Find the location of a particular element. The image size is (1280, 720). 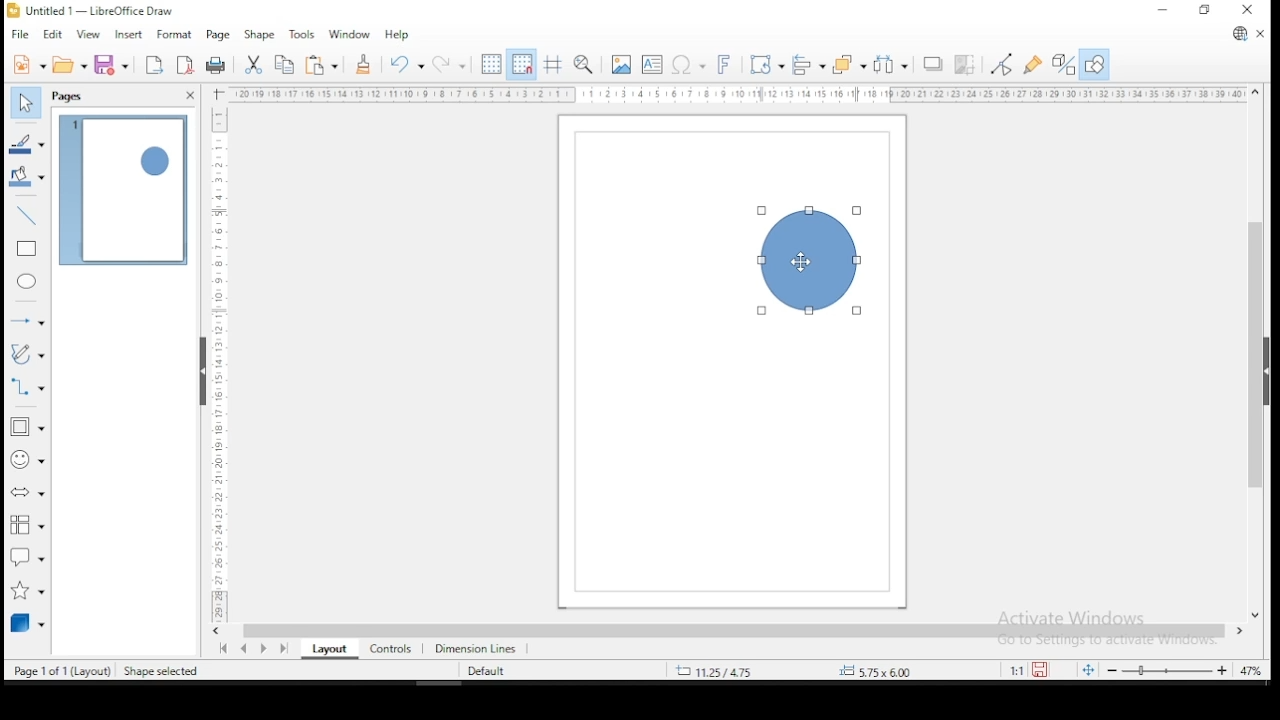

undo is located at coordinates (404, 64).